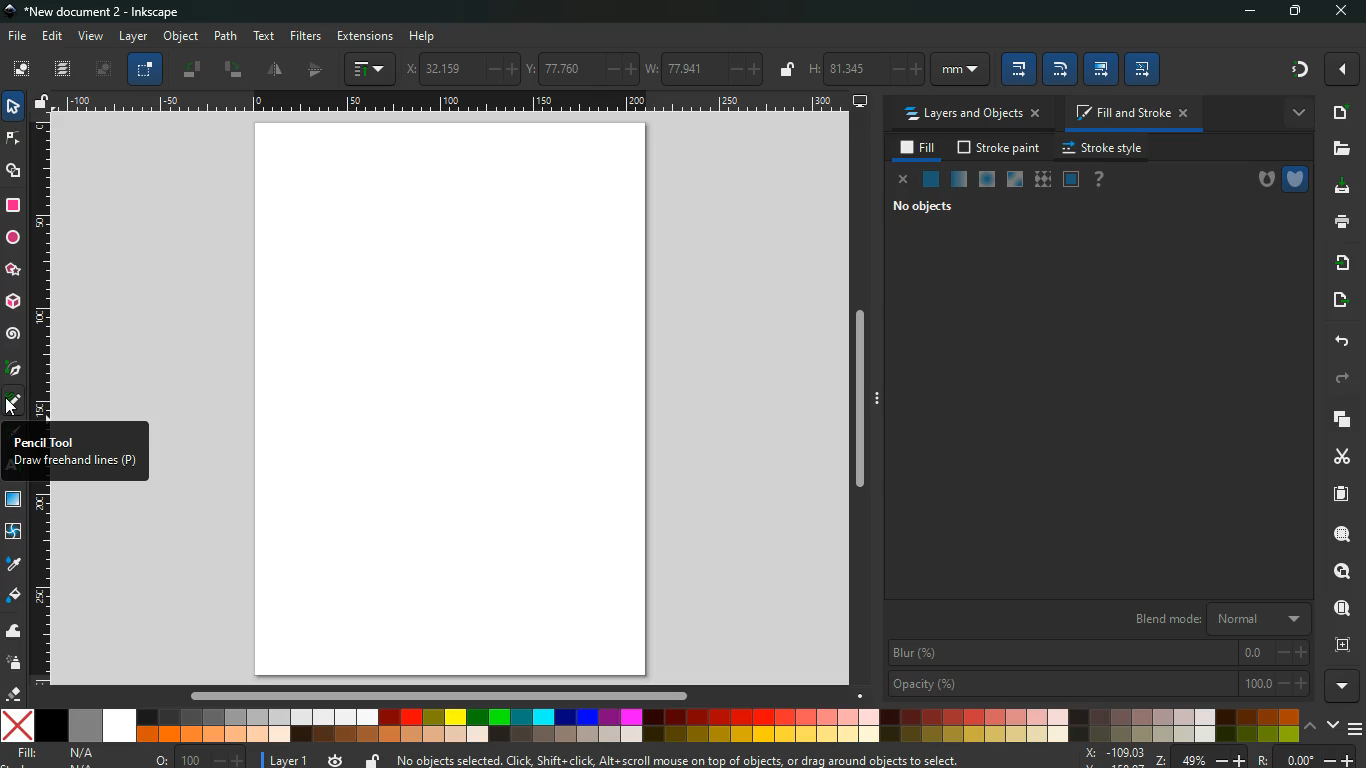 This screenshot has width=1366, height=768. I want to click on unlock, so click(371, 759).